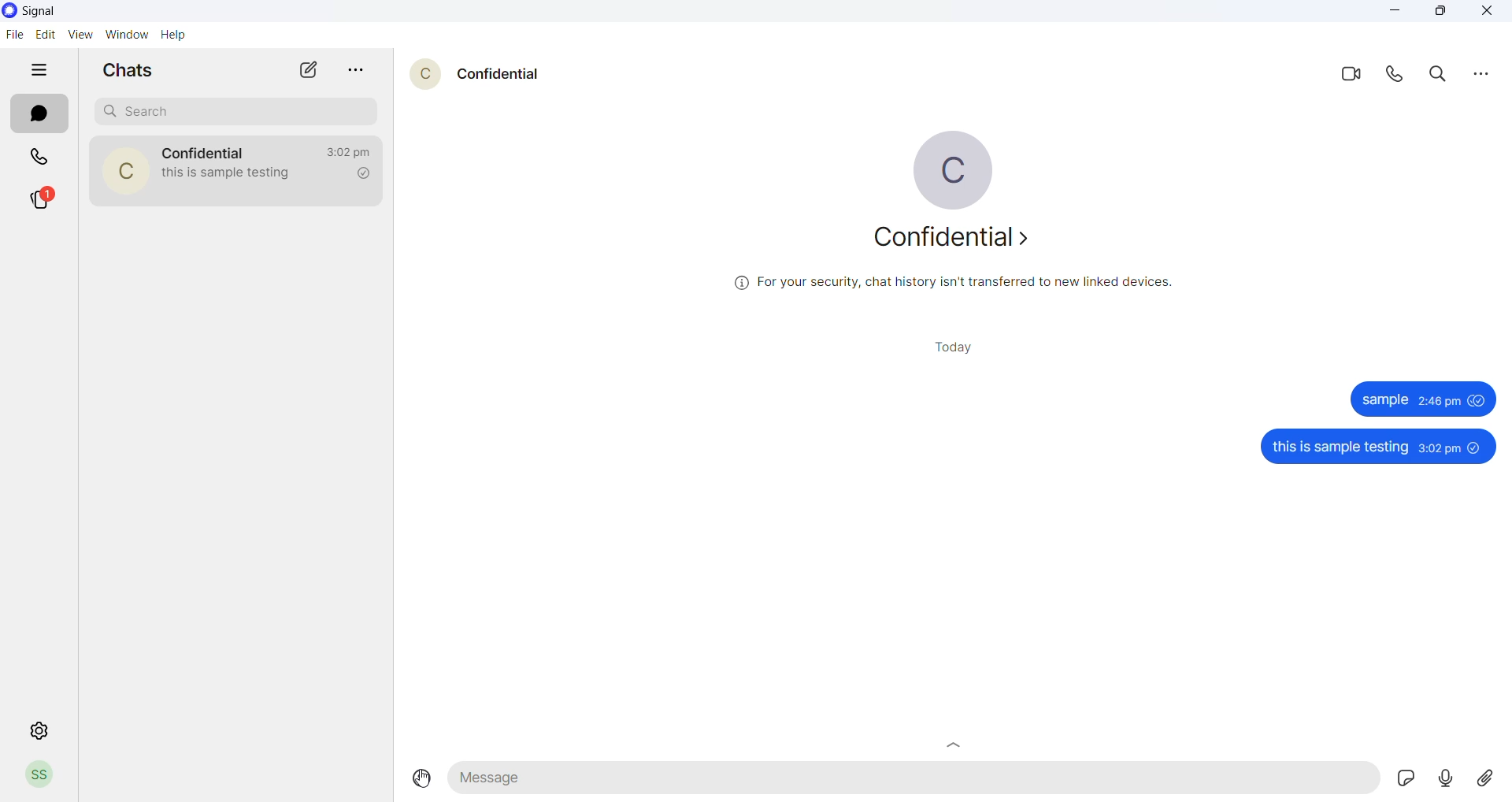 This screenshot has height=802, width=1512. Describe the element at coordinates (1395, 76) in the screenshot. I see `voice call` at that location.